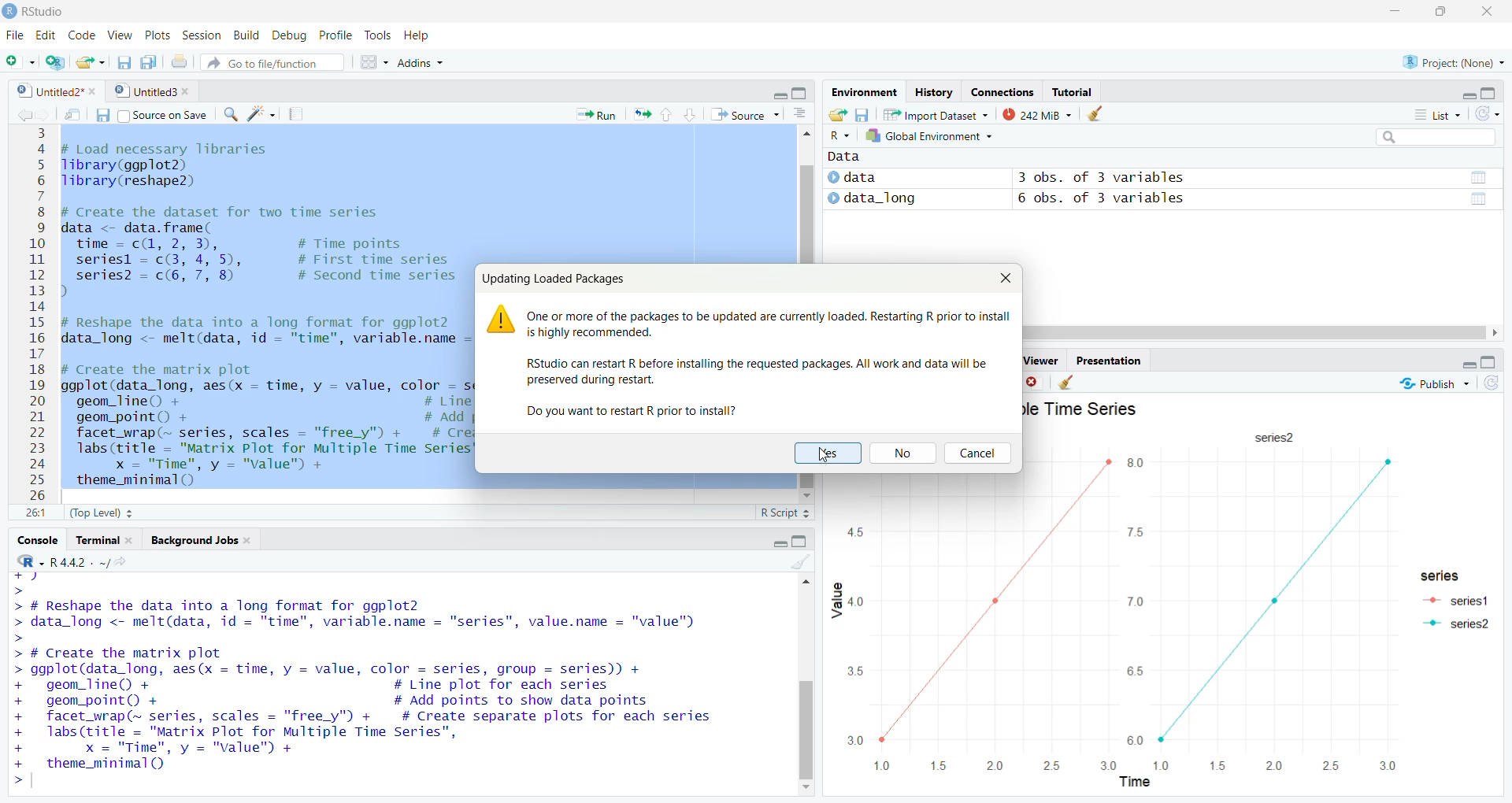 This screenshot has height=803, width=1512. What do you see at coordinates (777, 94) in the screenshot?
I see `minimize` at bounding box center [777, 94].